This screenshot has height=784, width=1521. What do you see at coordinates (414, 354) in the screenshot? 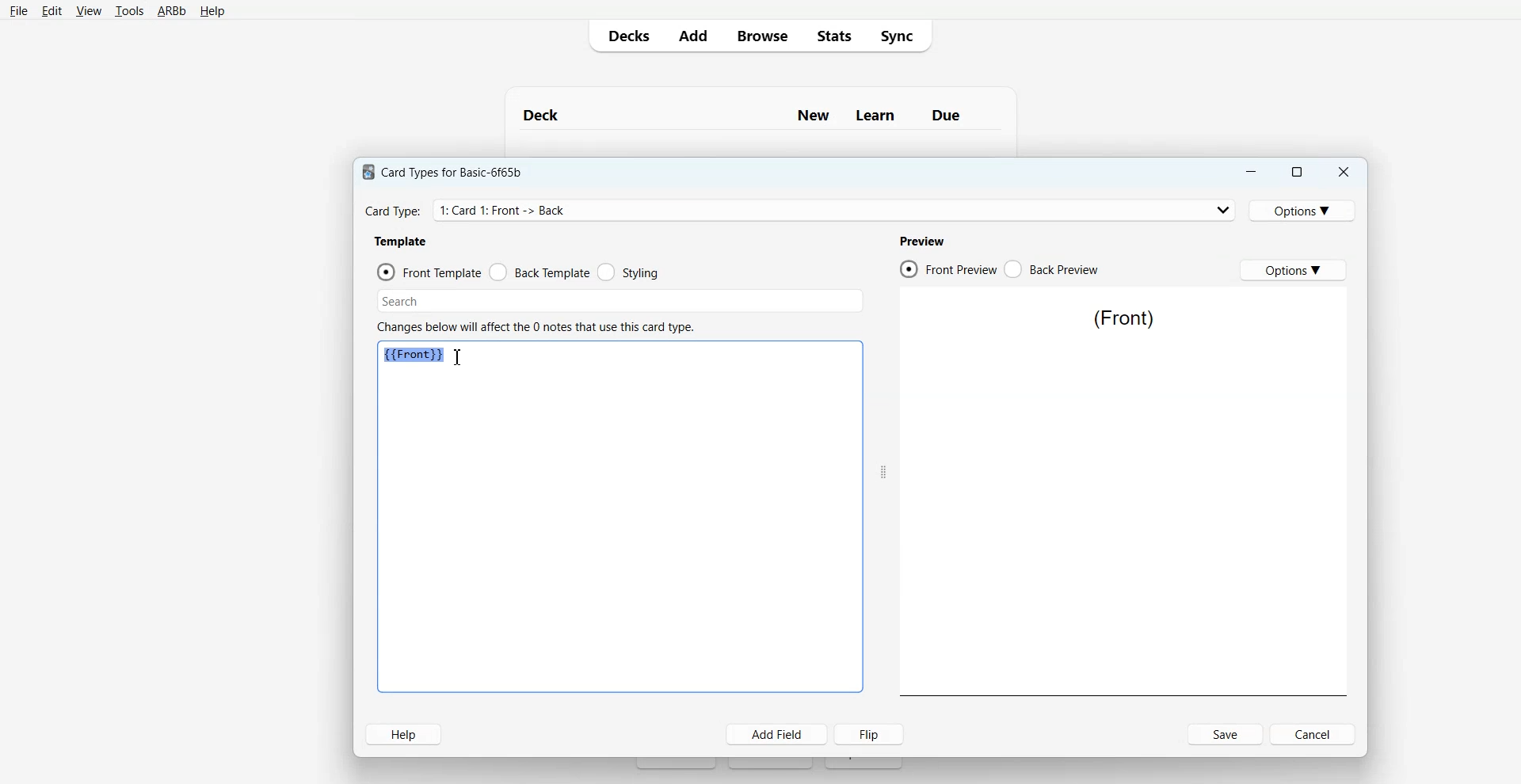
I see `Text 3` at bounding box center [414, 354].